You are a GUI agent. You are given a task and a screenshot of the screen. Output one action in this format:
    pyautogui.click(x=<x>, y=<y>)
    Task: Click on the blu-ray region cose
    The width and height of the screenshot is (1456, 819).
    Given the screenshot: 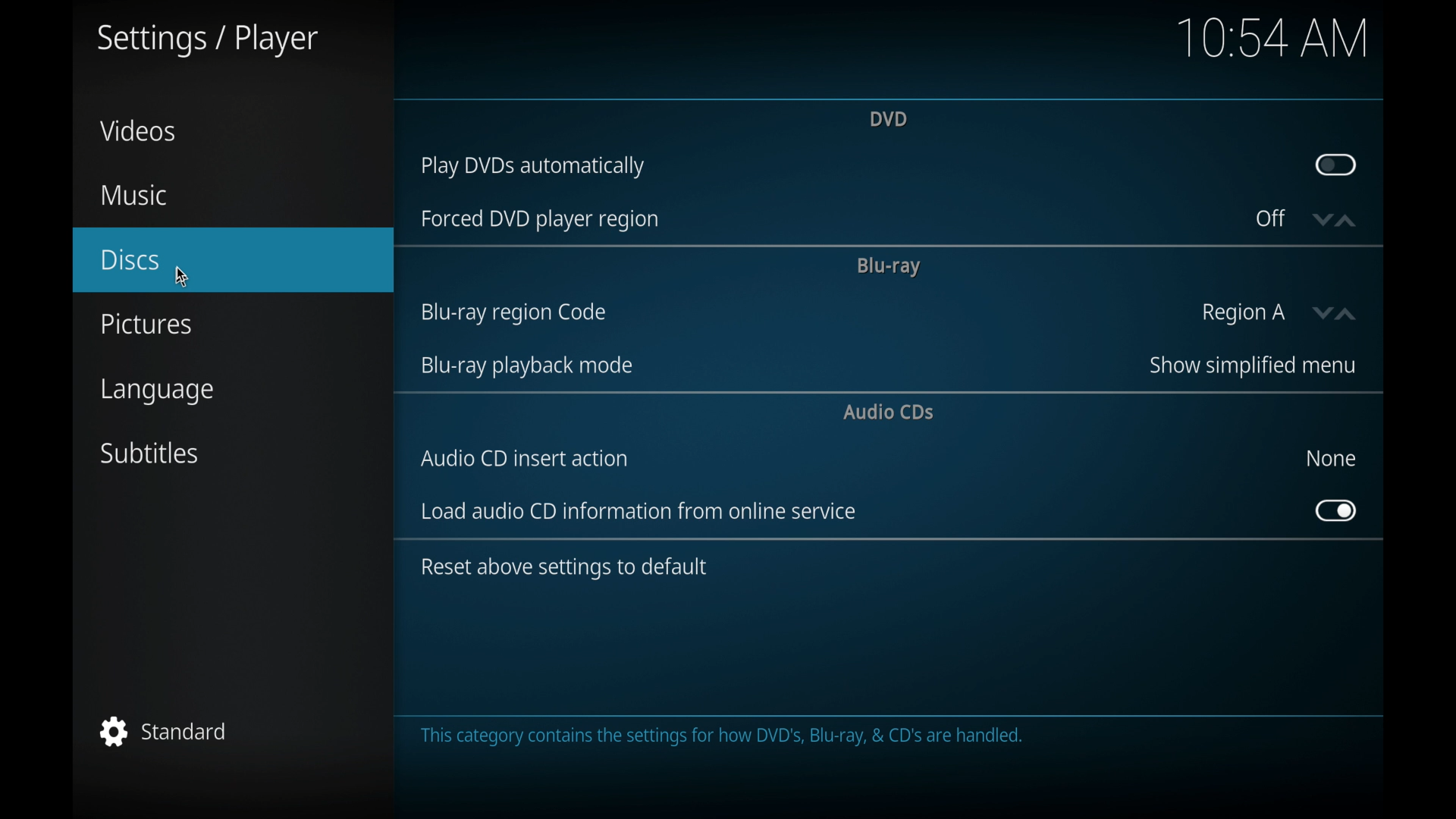 What is the action you would take?
    pyautogui.click(x=513, y=313)
    